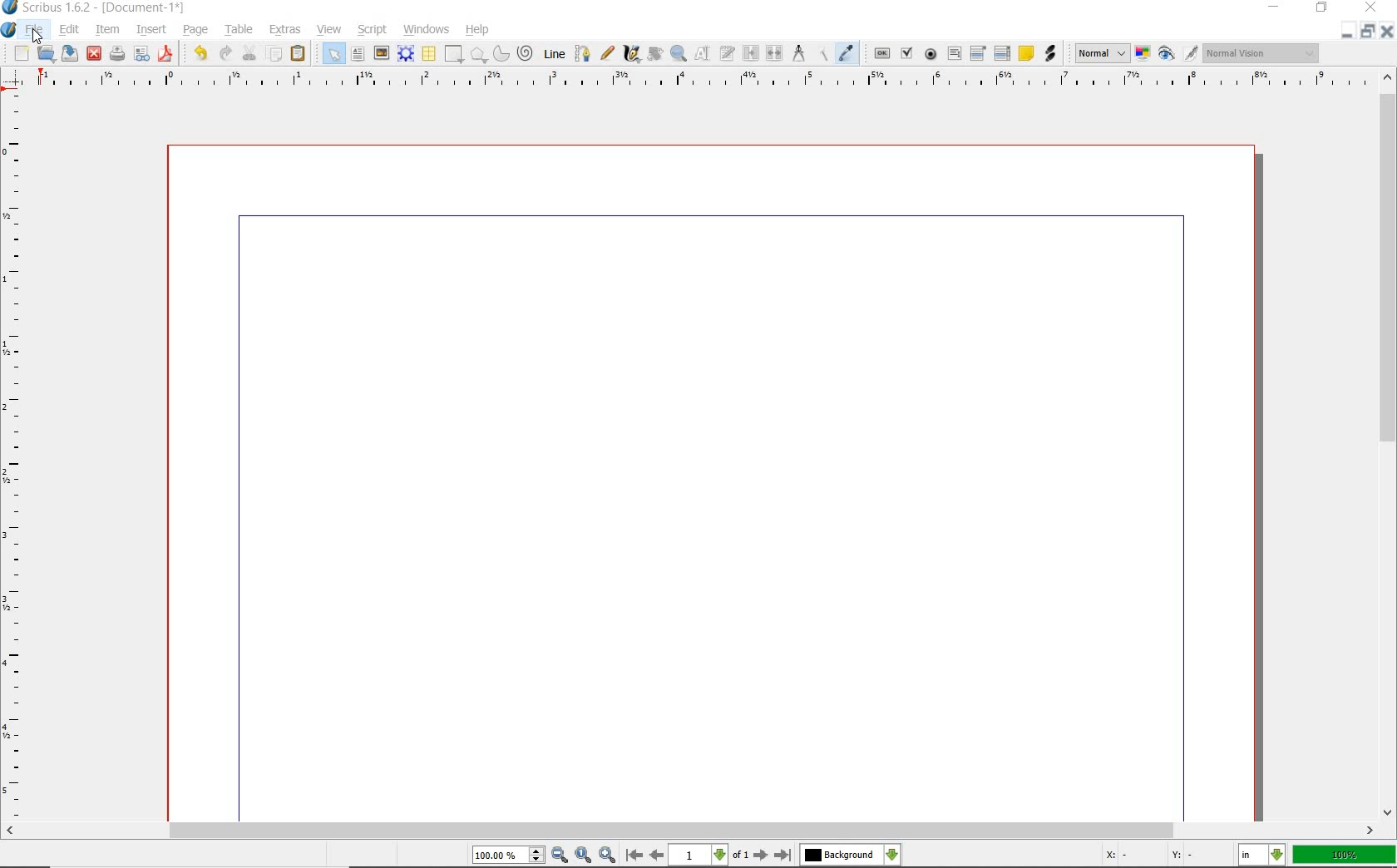 This screenshot has height=868, width=1397. What do you see at coordinates (906, 52) in the screenshot?
I see `pdf check box` at bounding box center [906, 52].